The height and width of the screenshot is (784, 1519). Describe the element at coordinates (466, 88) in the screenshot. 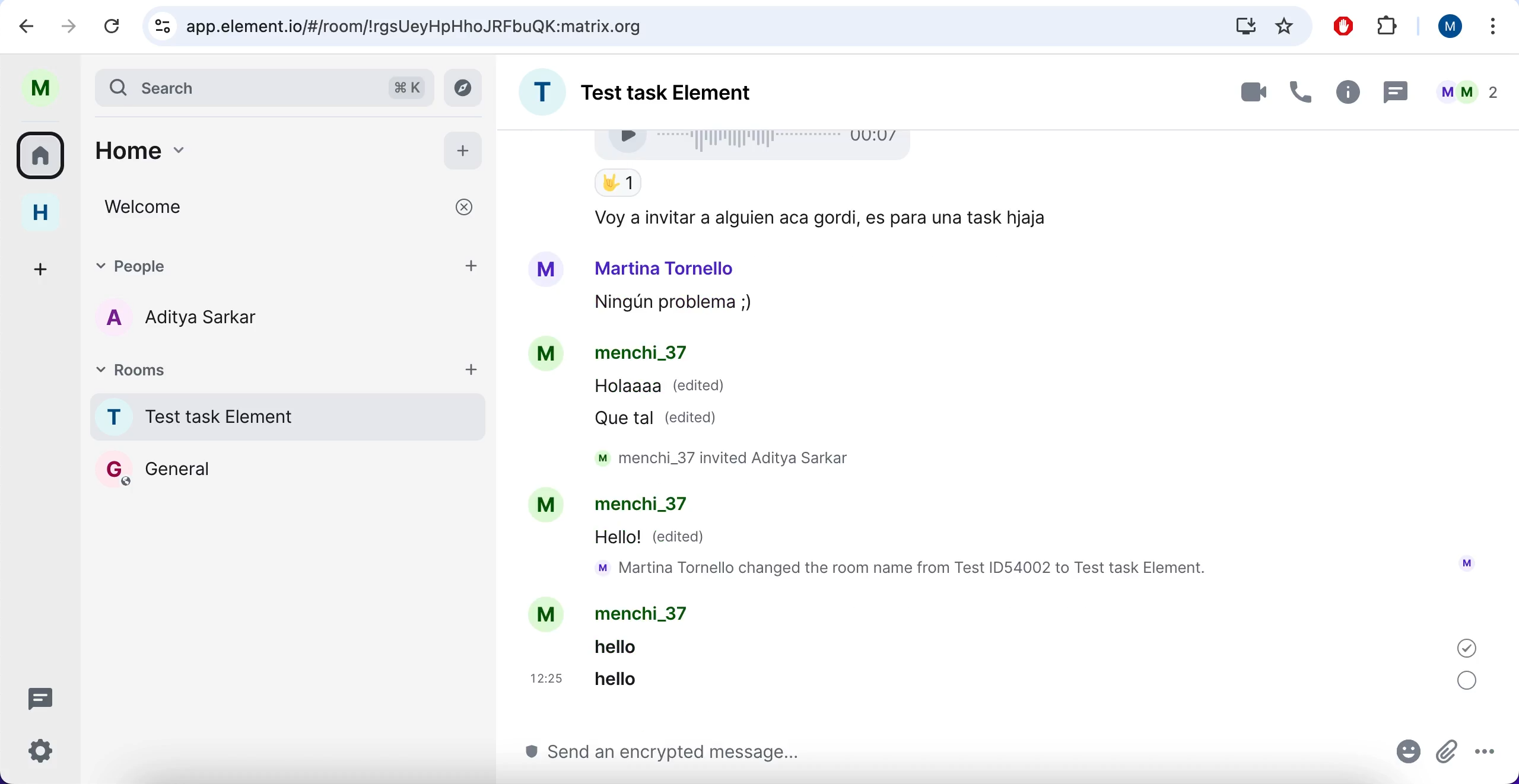

I see `explore rooms` at that location.